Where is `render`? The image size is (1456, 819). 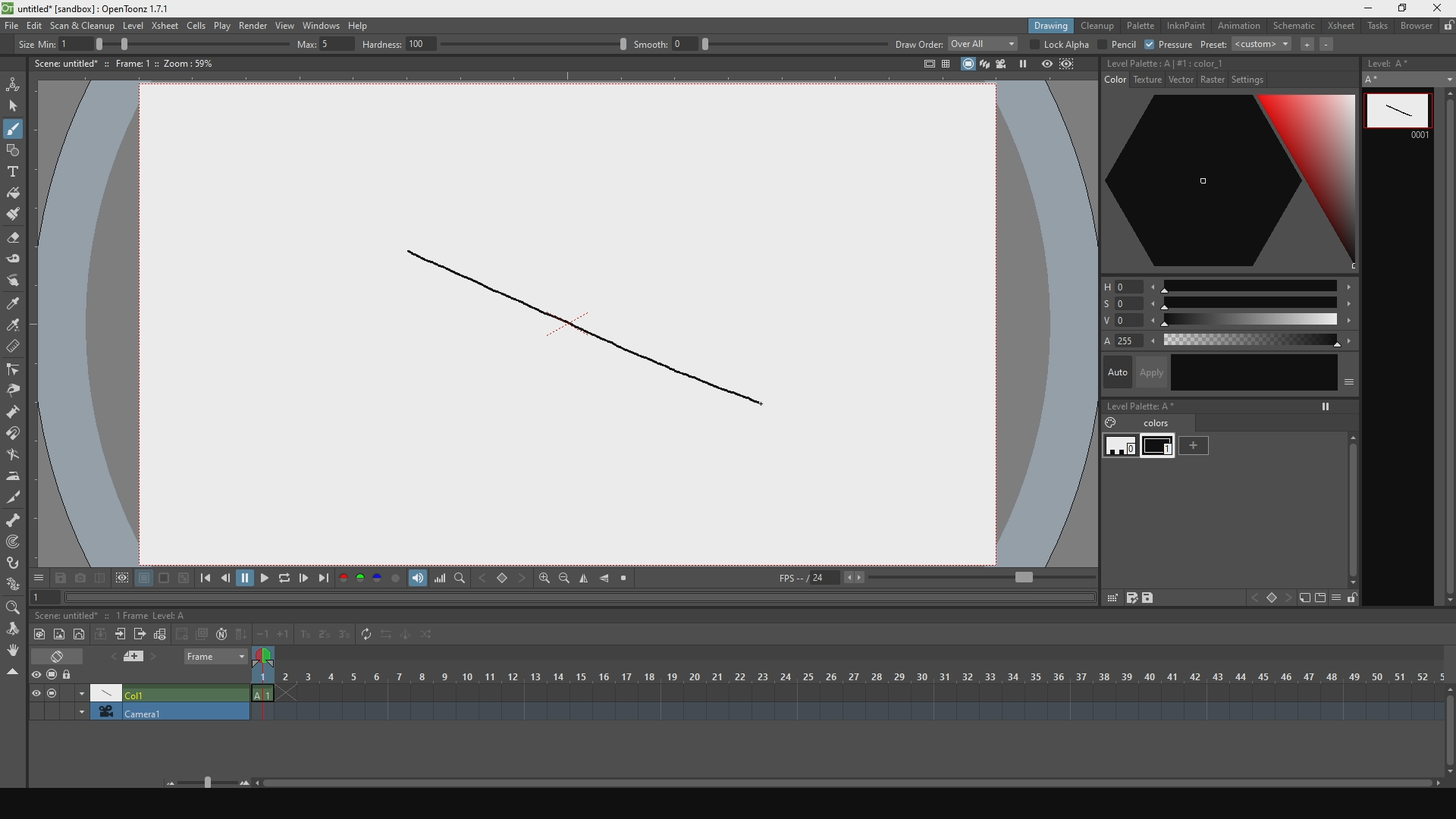 render is located at coordinates (252, 25).